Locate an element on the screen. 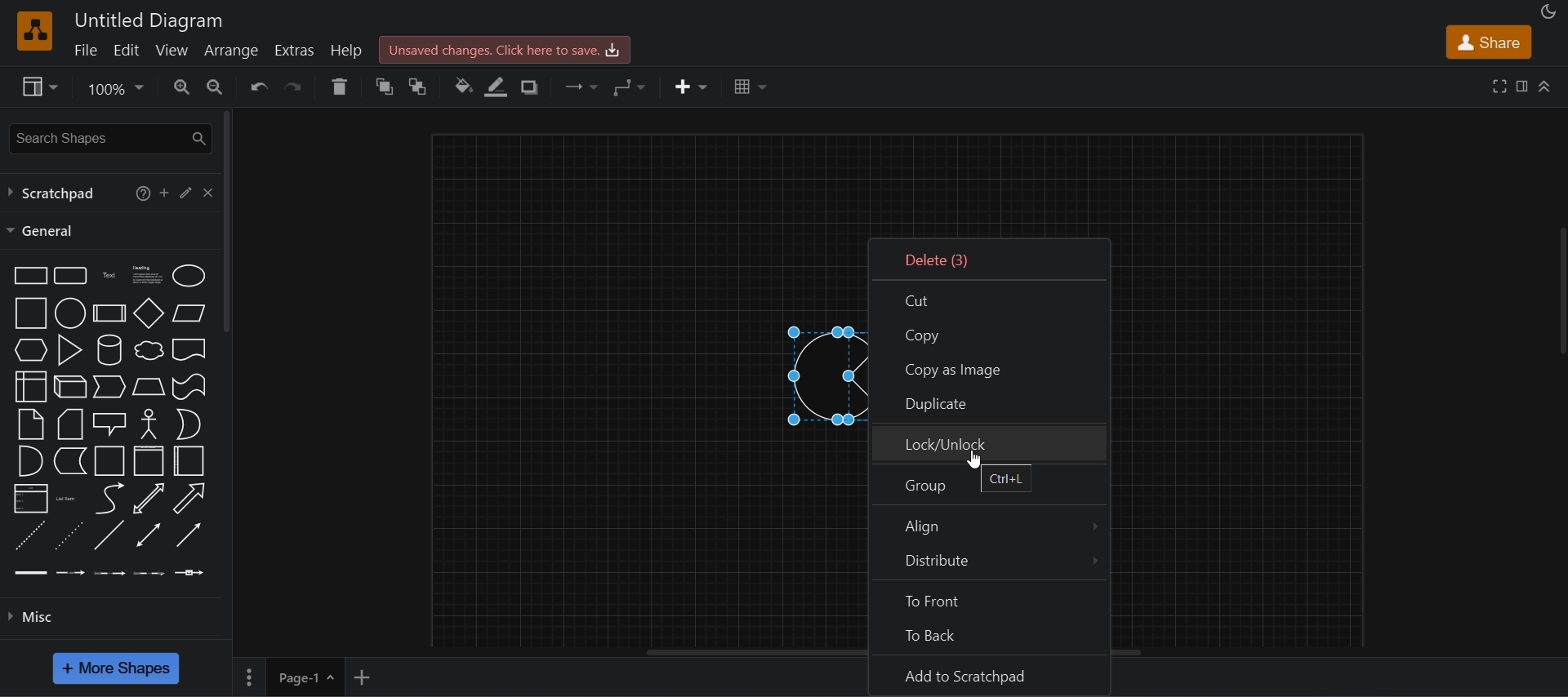 The image size is (1568, 697). copy is located at coordinates (991, 333).